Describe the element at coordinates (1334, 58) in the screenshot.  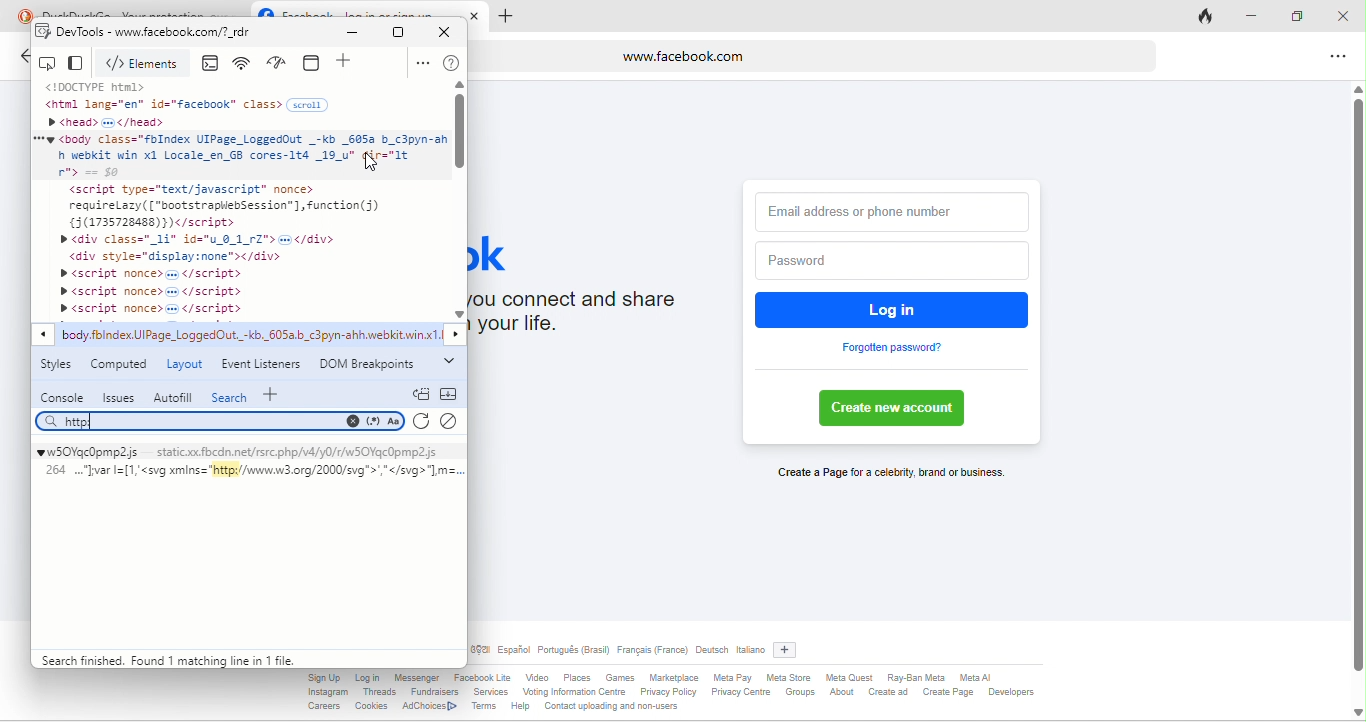
I see `options` at that location.